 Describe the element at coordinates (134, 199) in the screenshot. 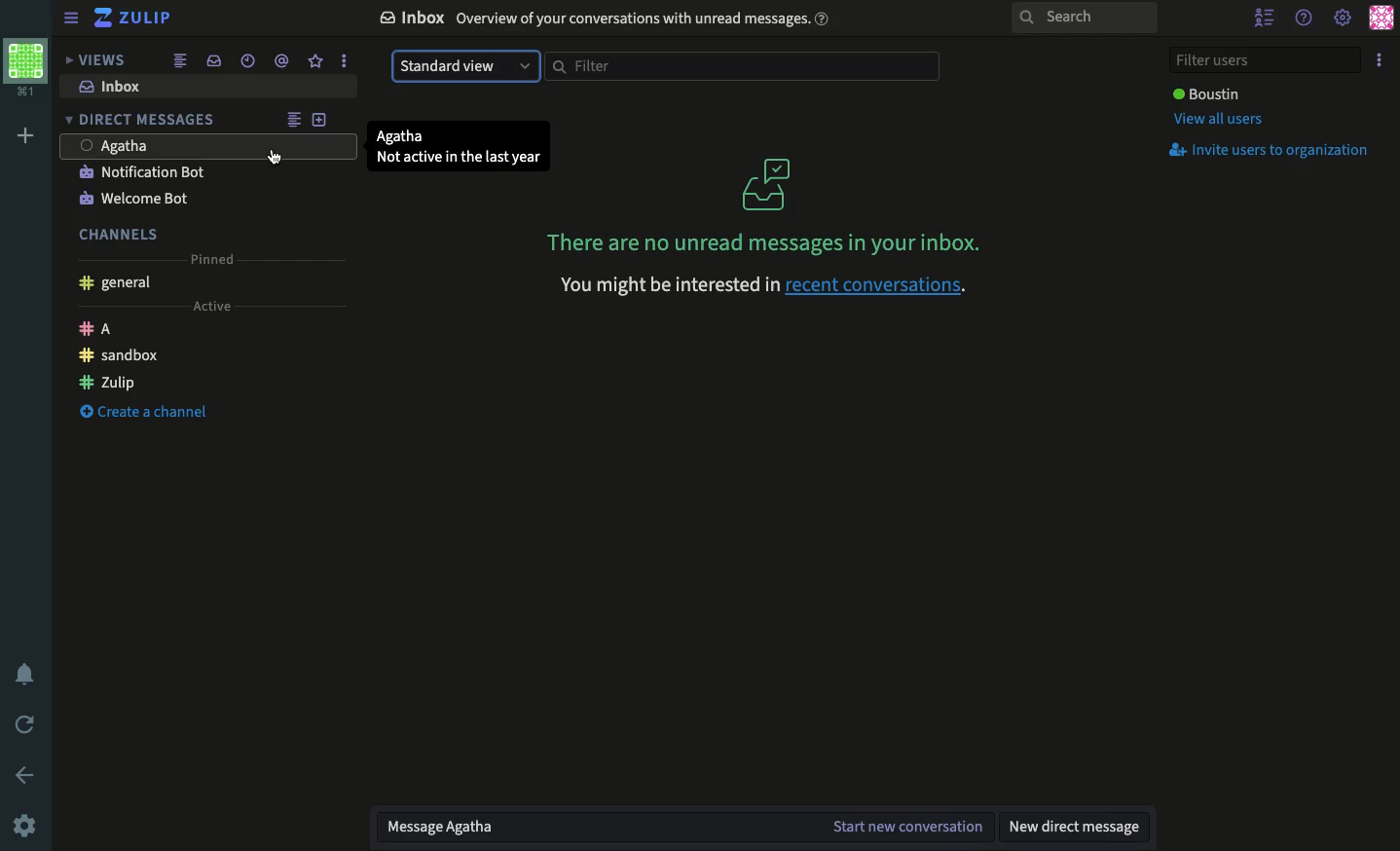

I see `Welcome bot` at that location.